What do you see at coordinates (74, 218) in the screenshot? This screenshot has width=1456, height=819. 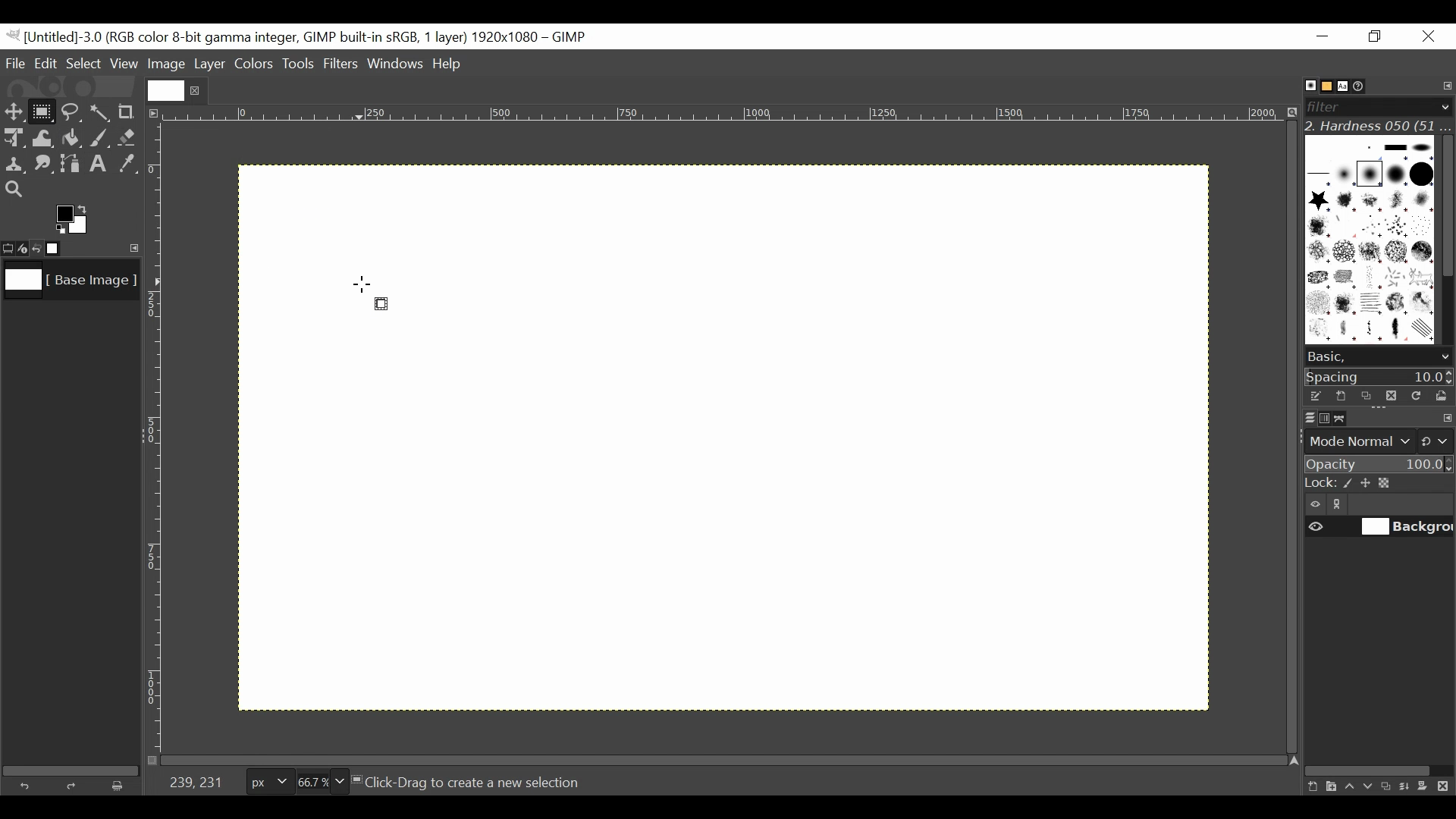 I see `Active background color` at bounding box center [74, 218].